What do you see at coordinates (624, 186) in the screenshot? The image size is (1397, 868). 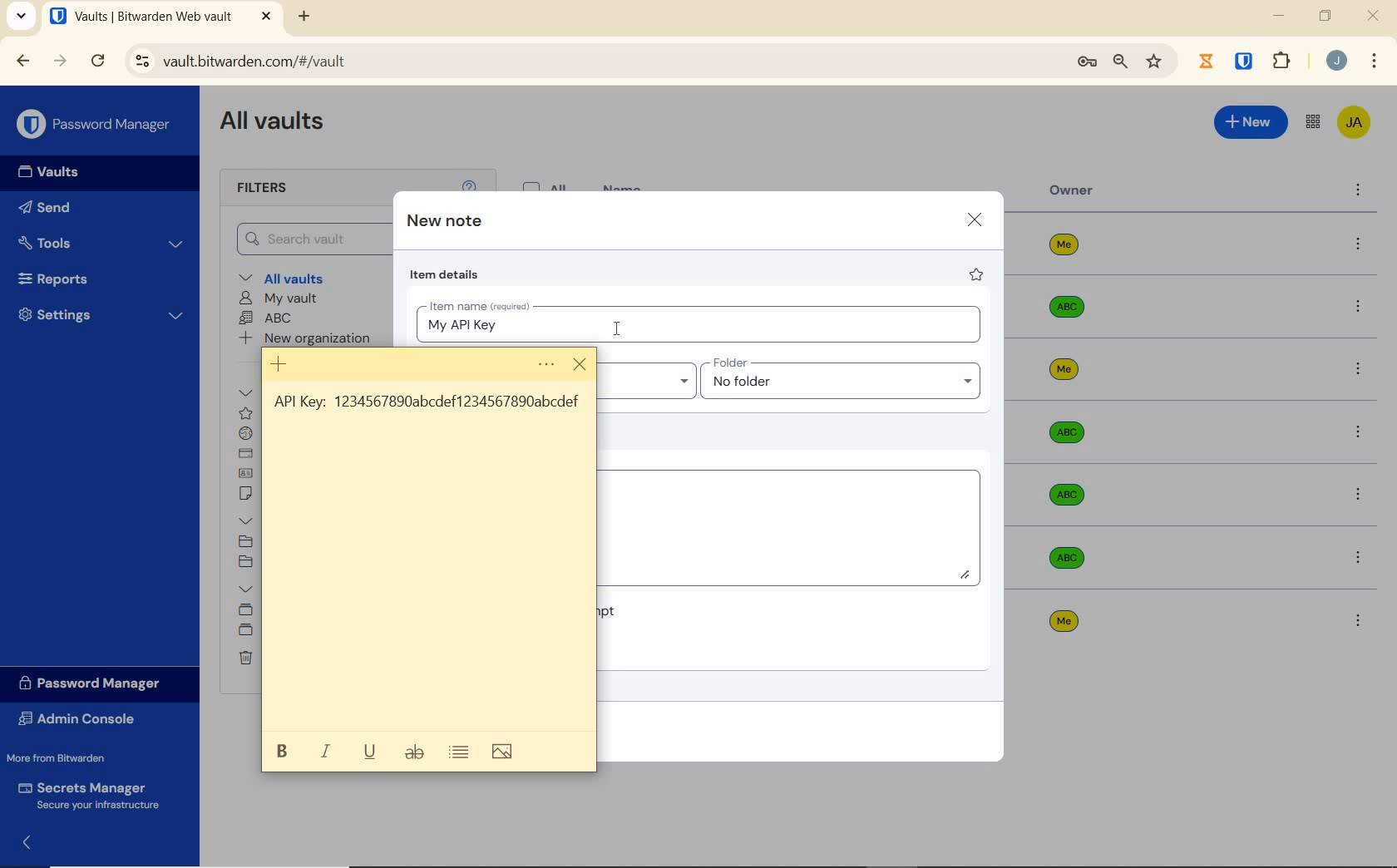 I see `name` at bounding box center [624, 186].